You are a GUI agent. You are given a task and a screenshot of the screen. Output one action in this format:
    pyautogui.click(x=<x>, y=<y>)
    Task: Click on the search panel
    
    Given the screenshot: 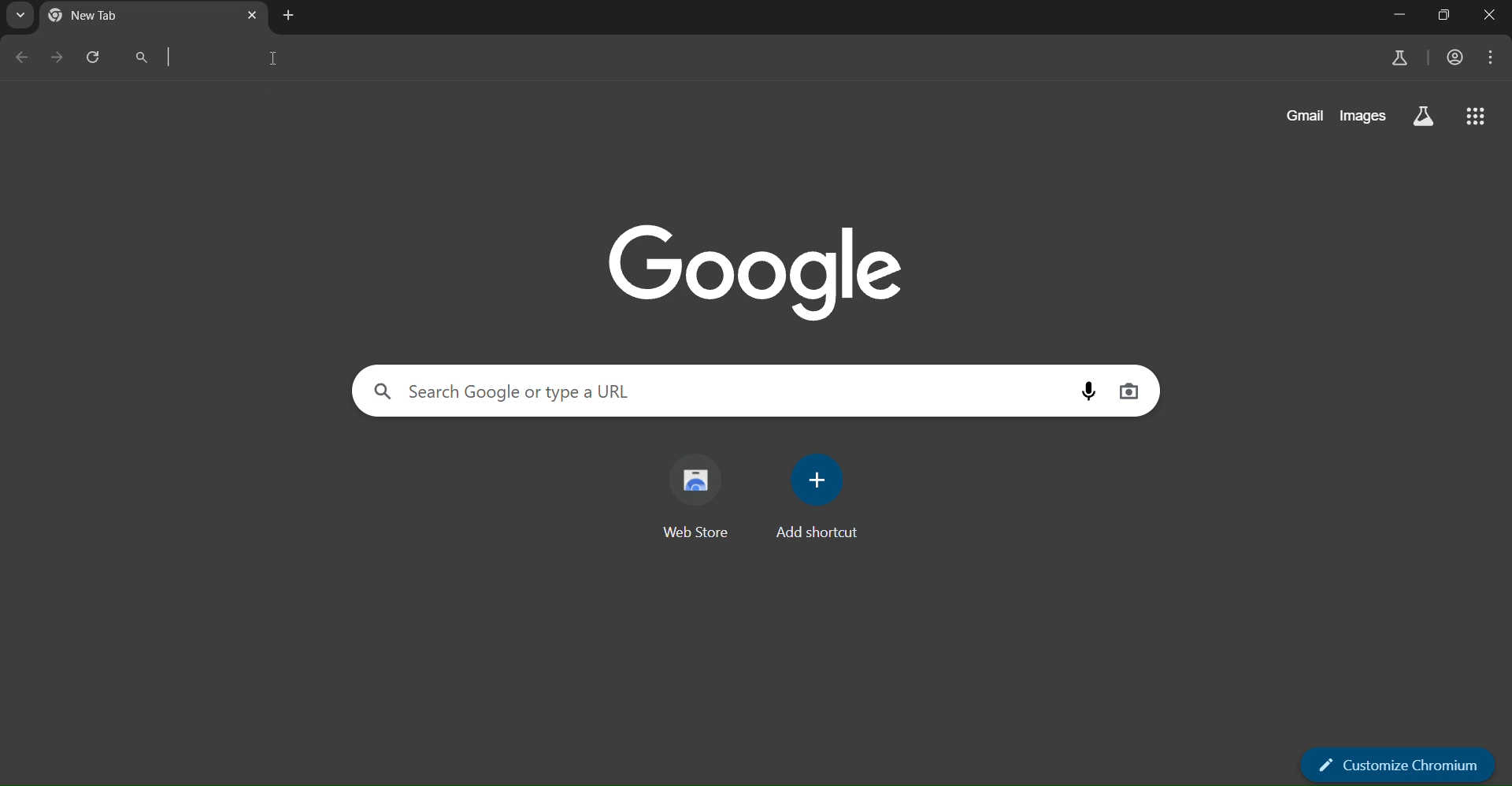 What is the action you would take?
    pyautogui.click(x=510, y=390)
    